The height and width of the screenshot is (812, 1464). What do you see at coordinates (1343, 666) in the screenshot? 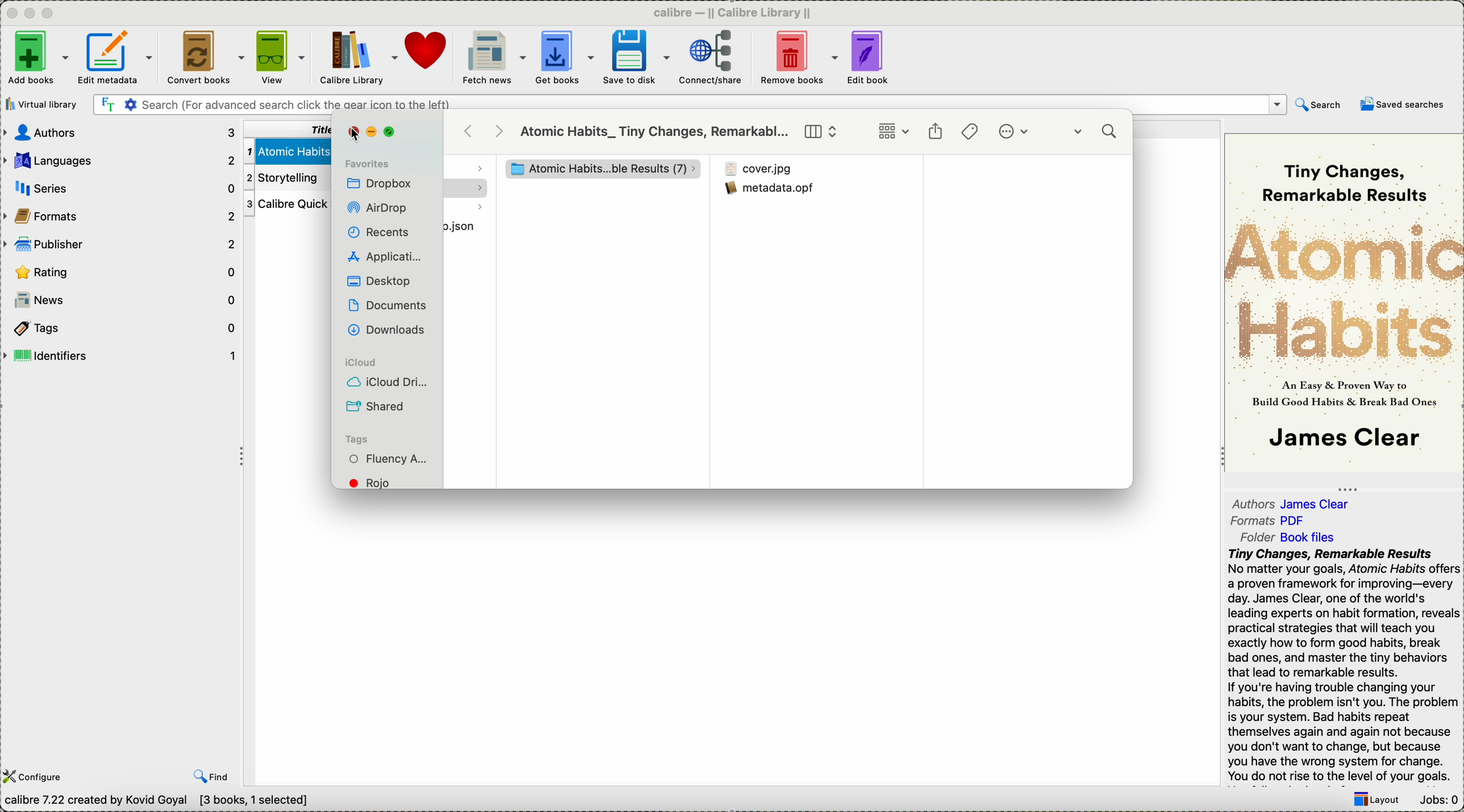
I see `summary` at bounding box center [1343, 666].